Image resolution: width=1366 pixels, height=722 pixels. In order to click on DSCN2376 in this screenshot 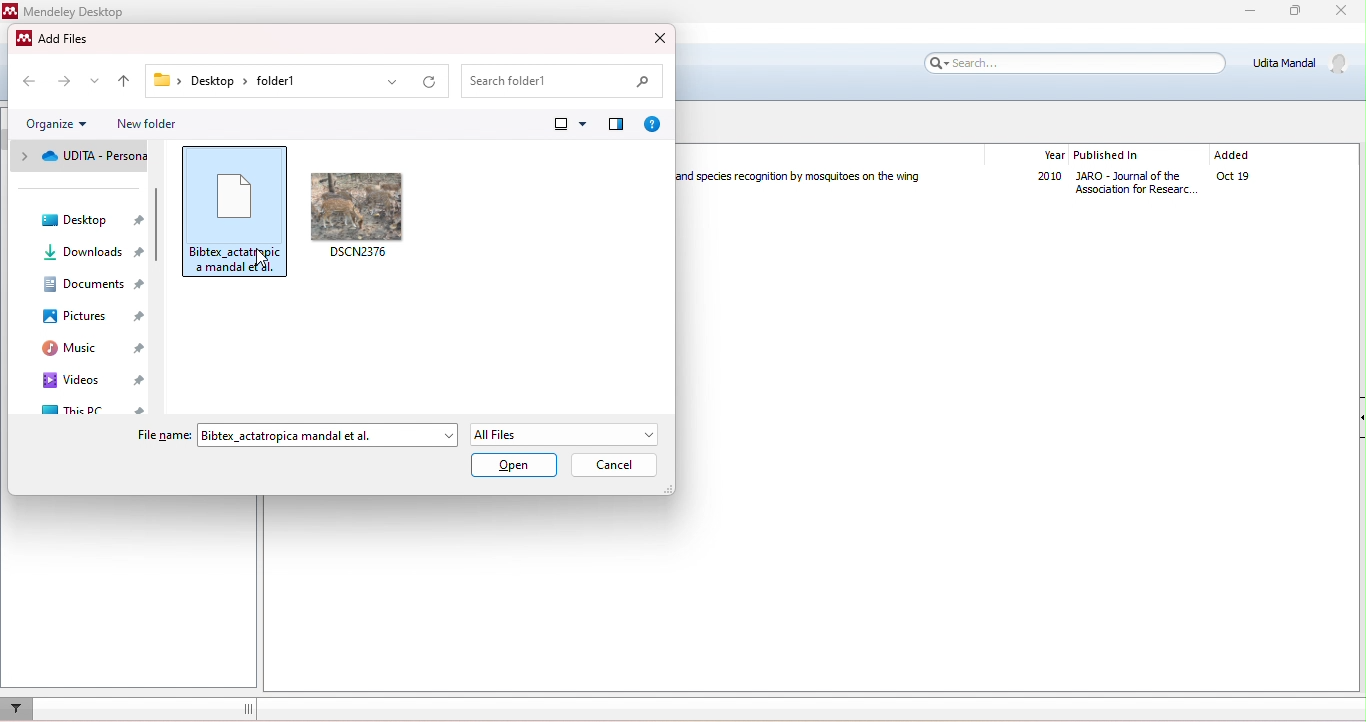, I will do `click(356, 218)`.